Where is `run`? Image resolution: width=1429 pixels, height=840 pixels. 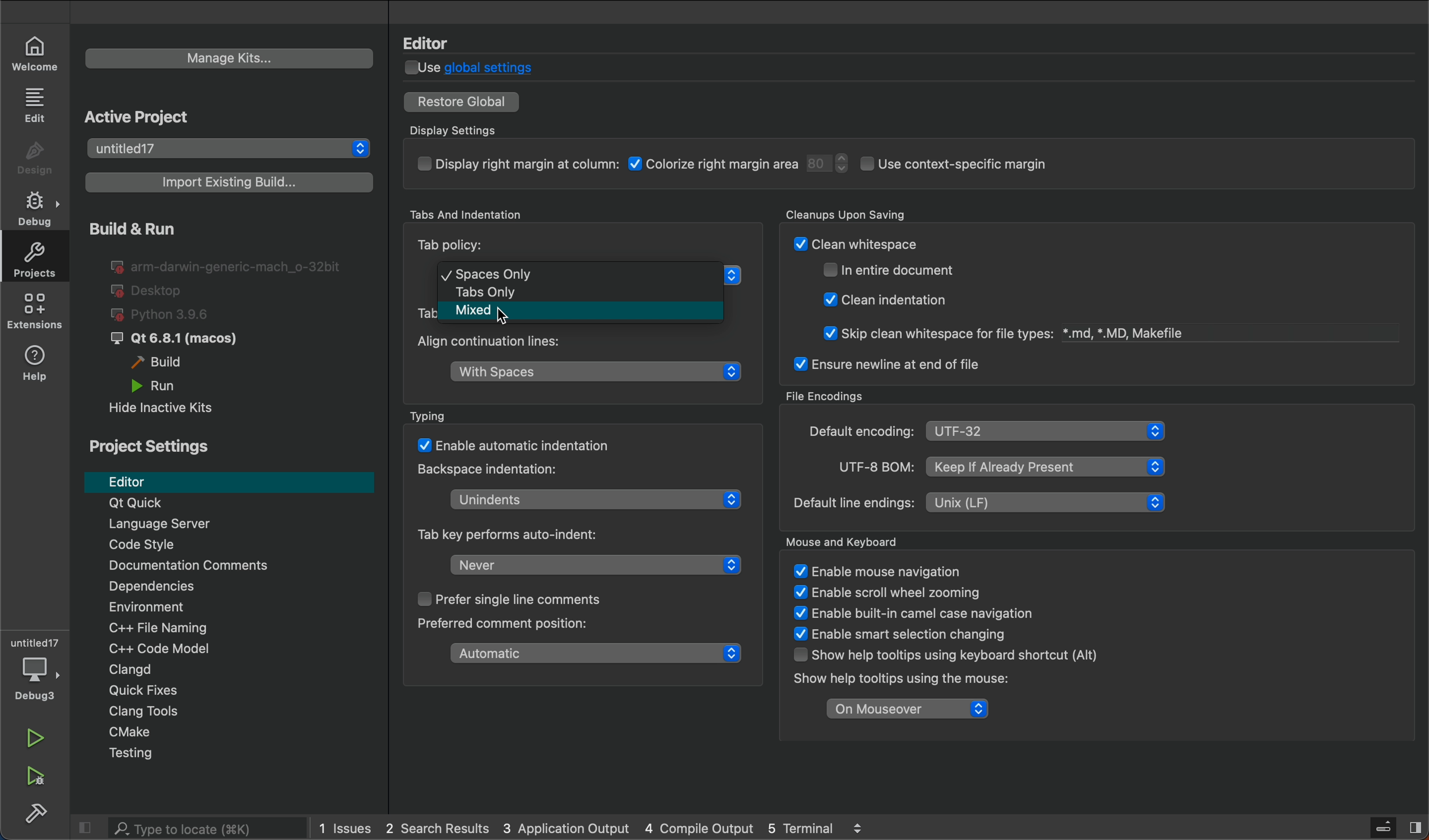
run is located at coordinates (157, 387).